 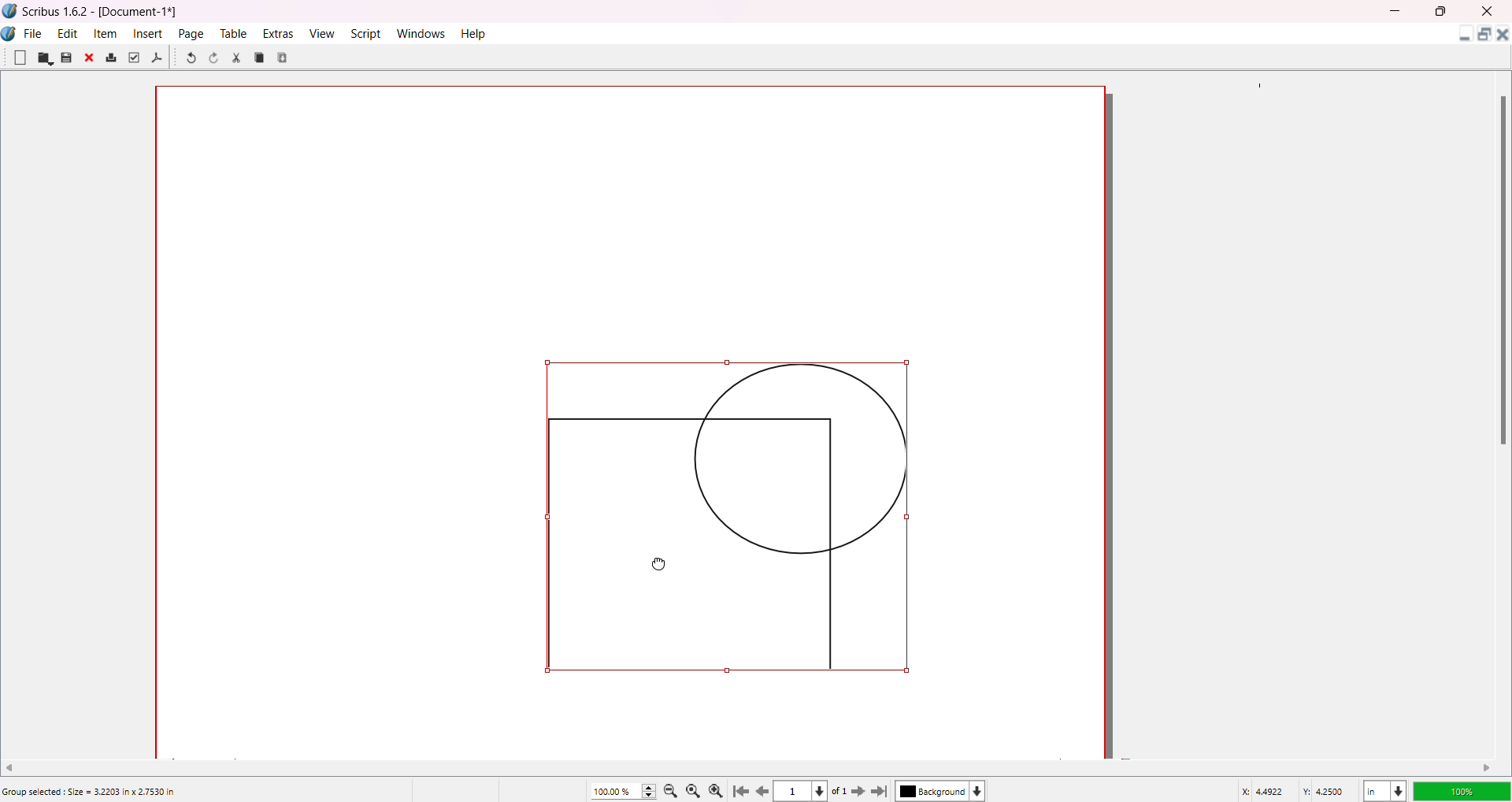 I want to click on Table, so click(x=232, y=33).